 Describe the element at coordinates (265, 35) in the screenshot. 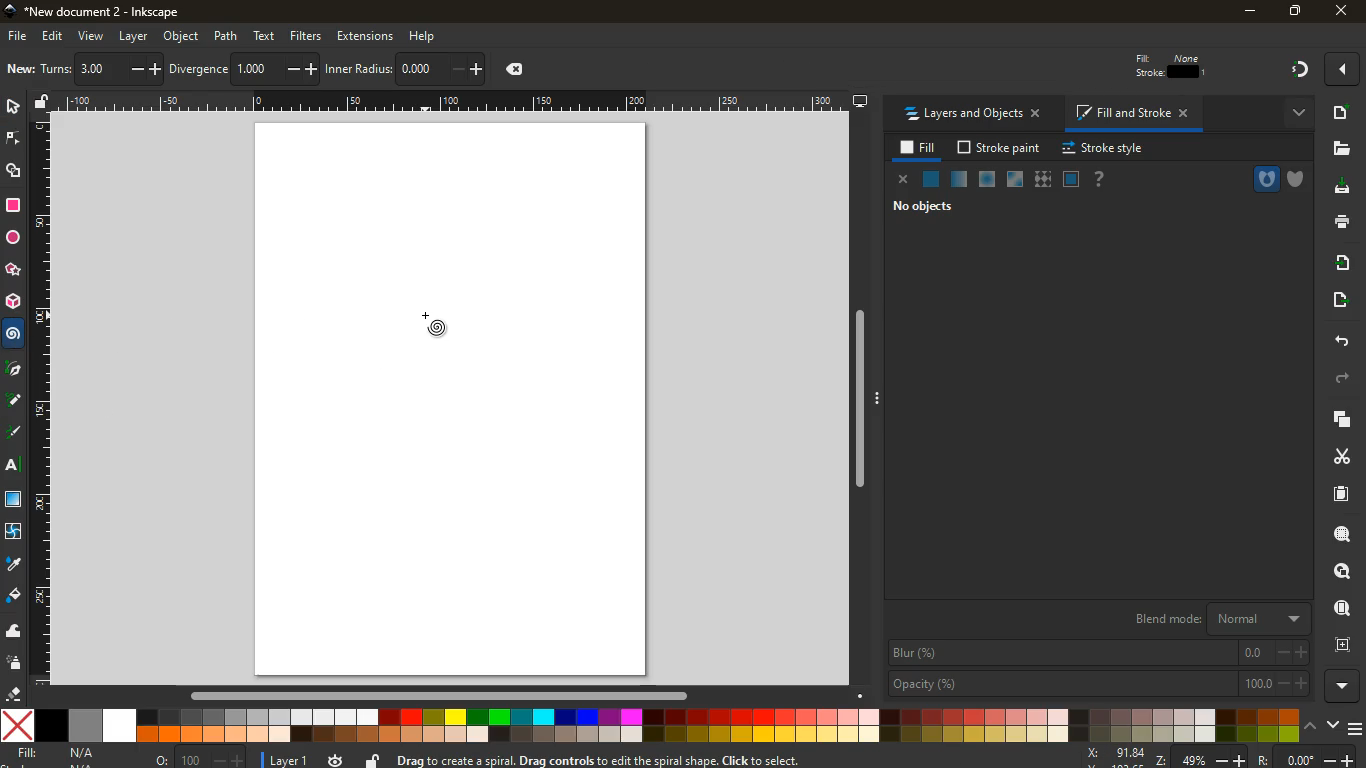

I see `text` at that location.